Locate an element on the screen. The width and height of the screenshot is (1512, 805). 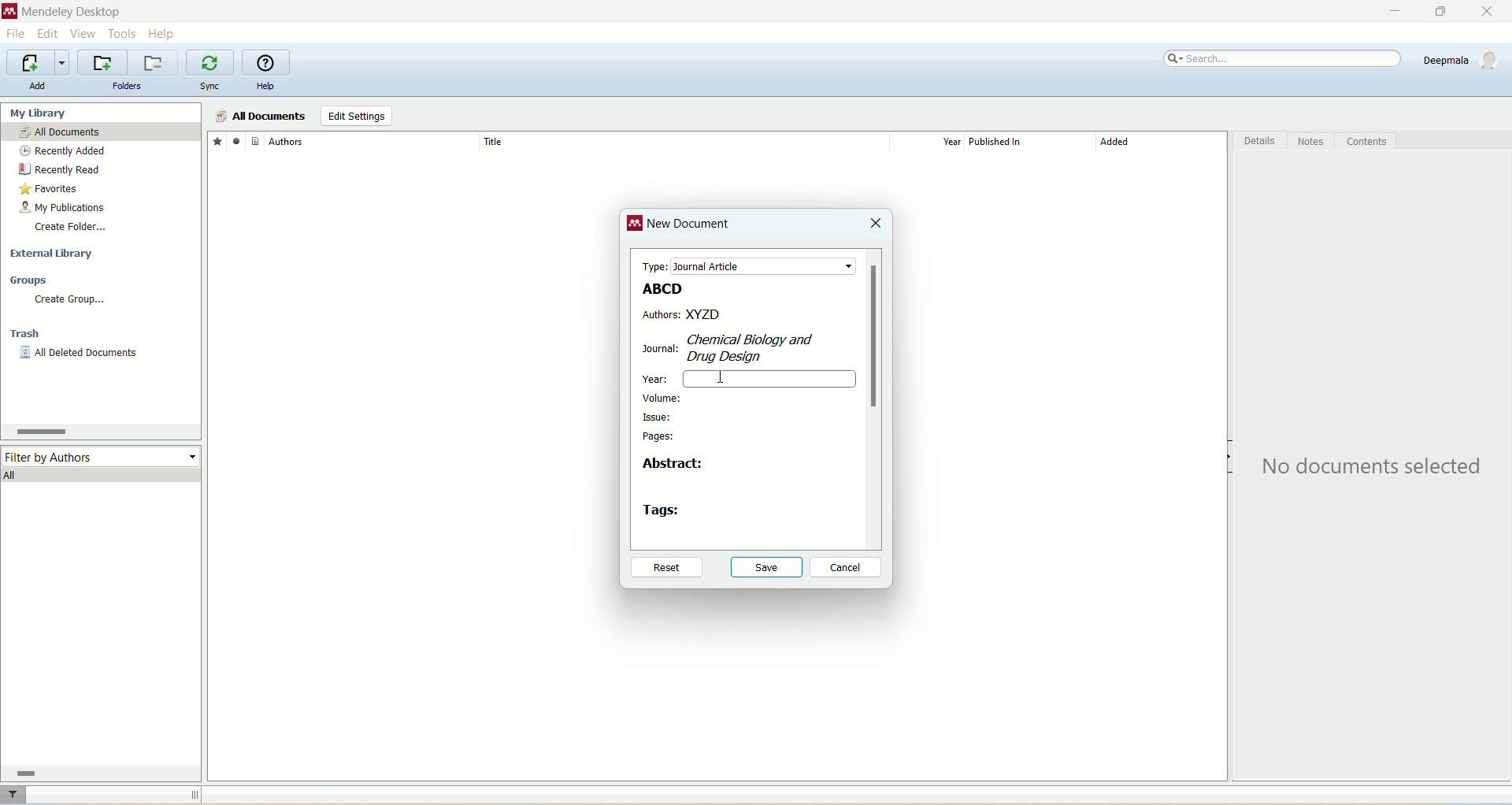
ABCD is located at coordinates (659, 288).